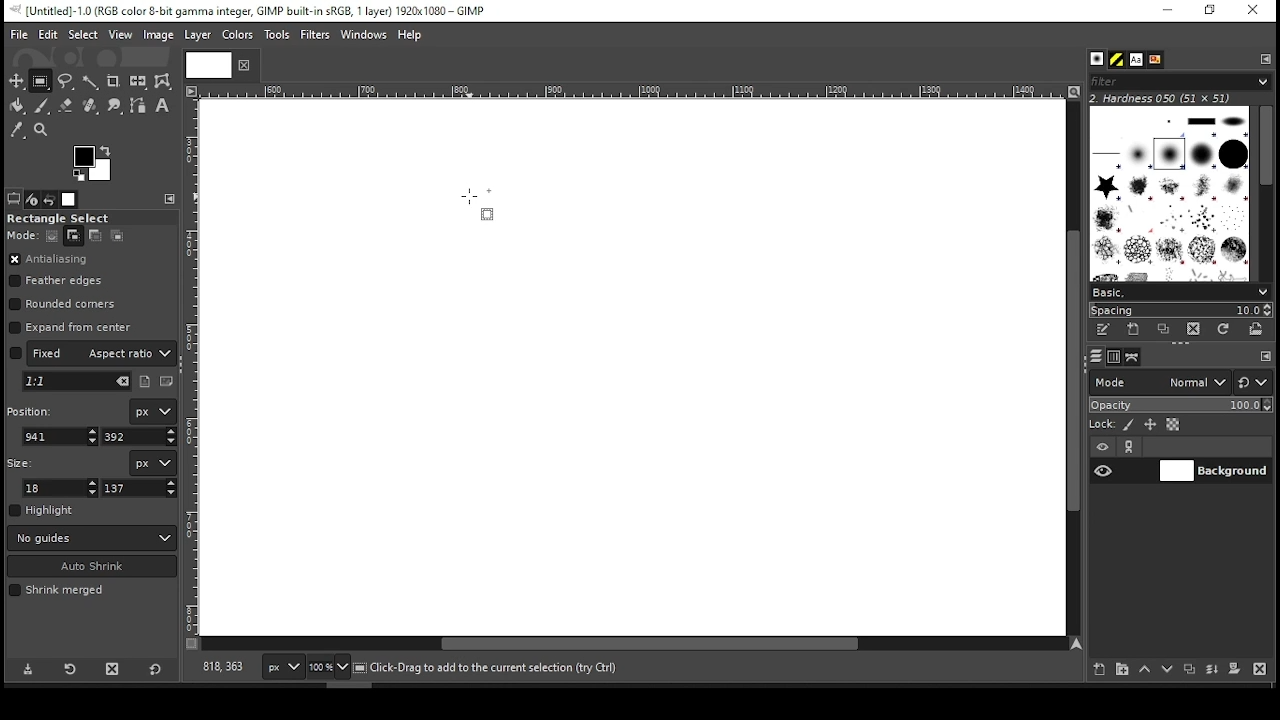  Describe the element at coordinates (32, 199) in the screenshot. I see `device status` at that location.